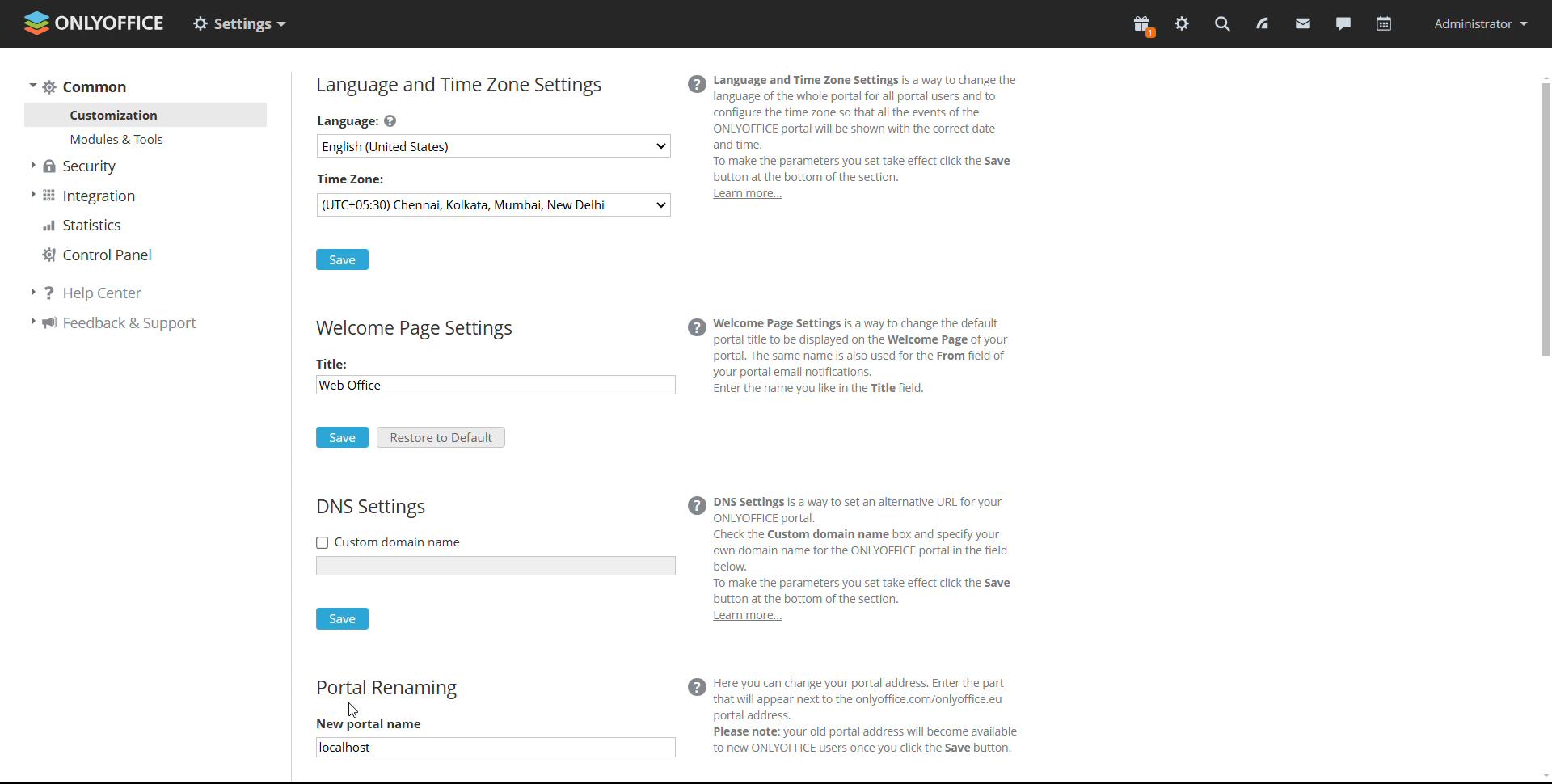 Image resolution: width=1552 pixels, height=784 pixels. Describe the element at coordinates (862, 362) in the screenshot. I see `(@ Welcome Page Settings is a way to change the default
portal ttle to be displayed on the Welcome Page of your
portal, The same name is also used for the From field of

your portal email notifications.
| Enter the name you like in the Title field.` at that location.